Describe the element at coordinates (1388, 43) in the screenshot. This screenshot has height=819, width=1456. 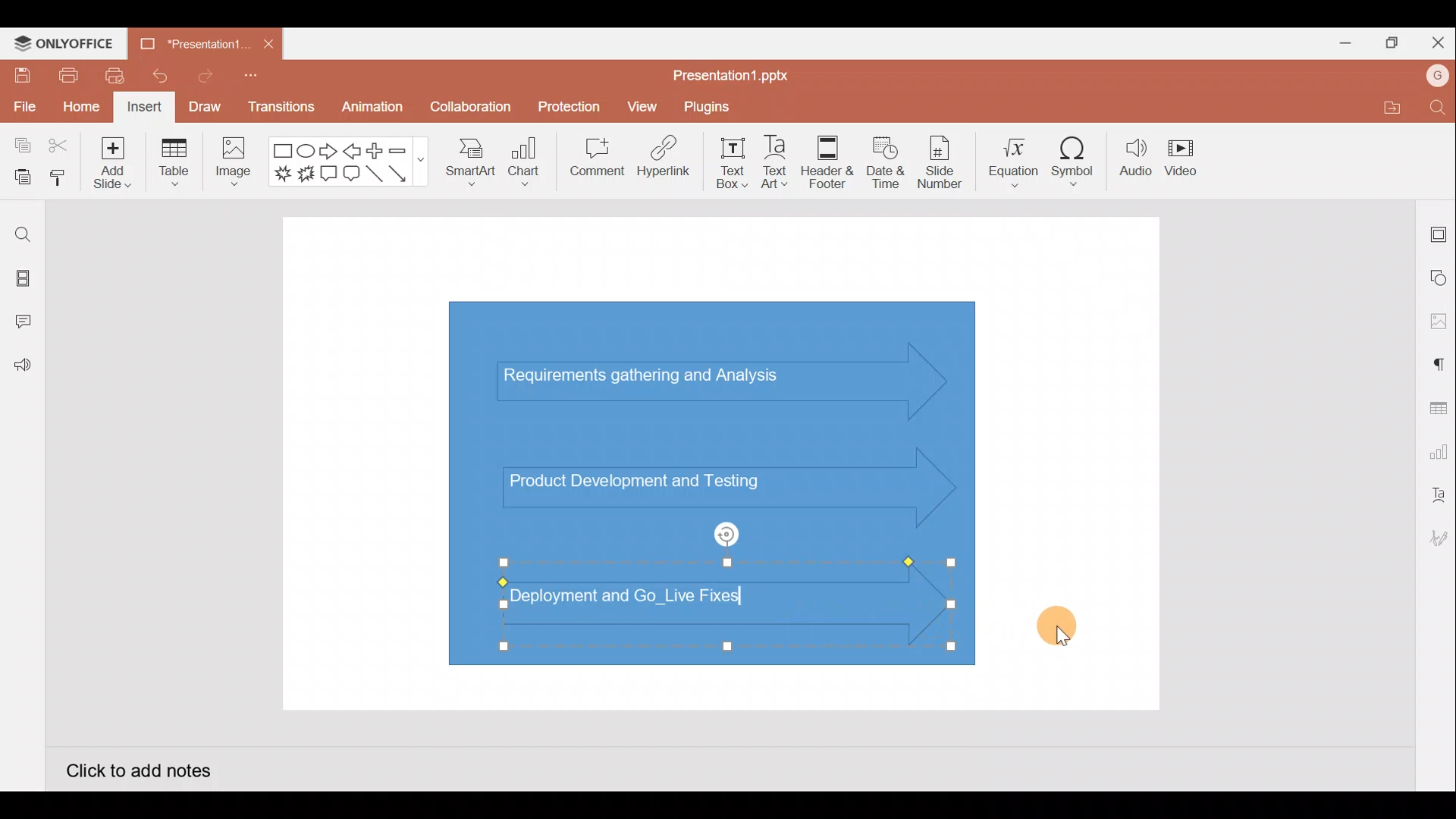
I see `Maximize` at that location.